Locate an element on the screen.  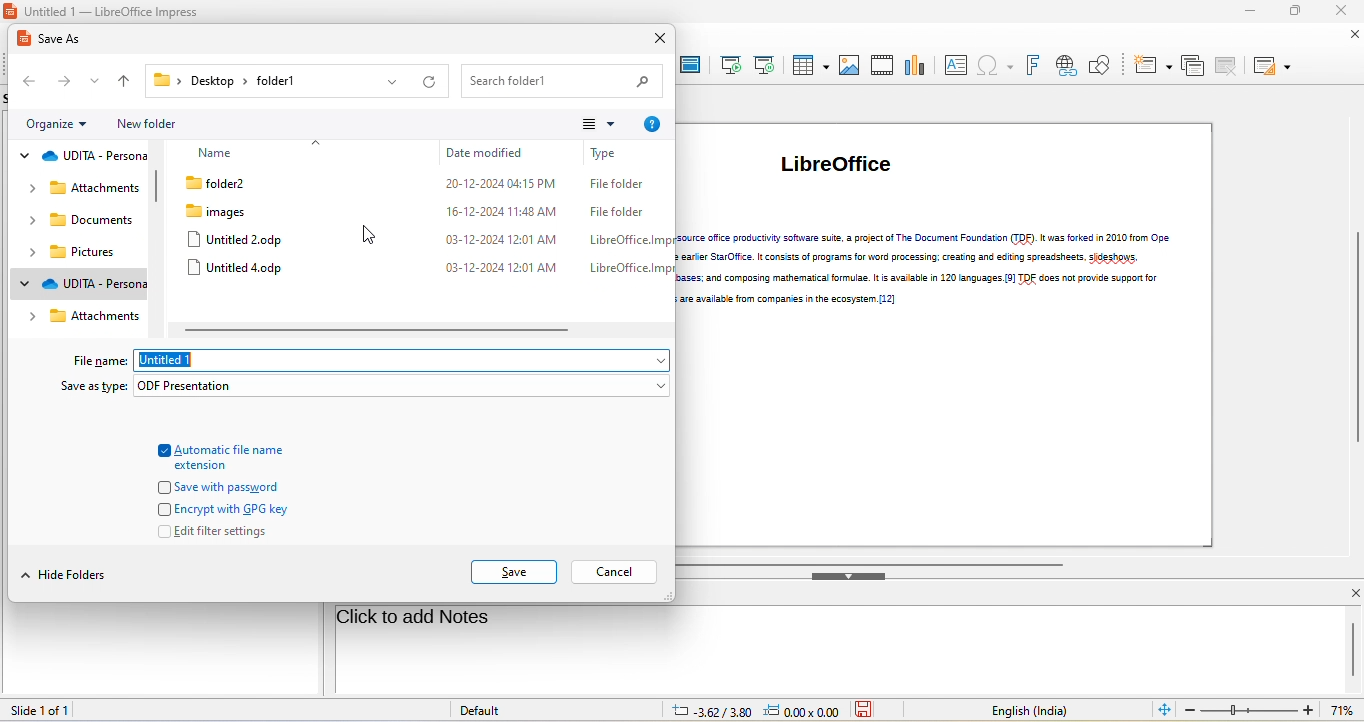
attachments is located at coordinates (83, 315).